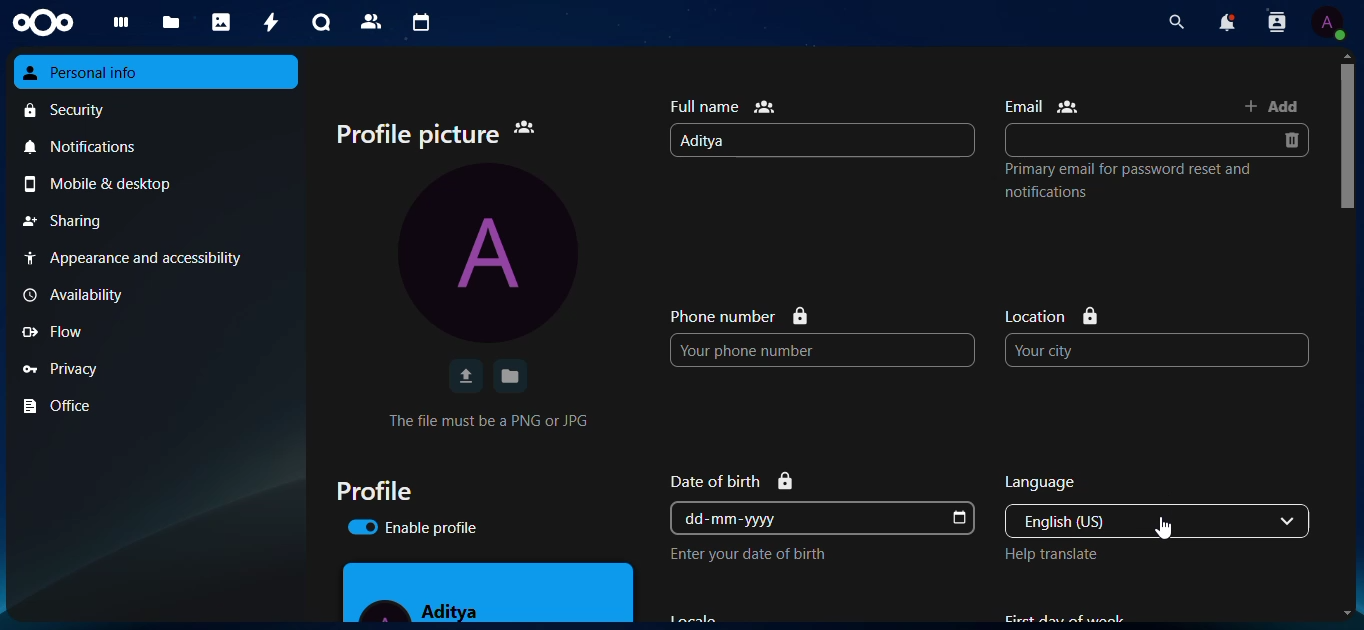  Describe the element at coordinates (1346, 54) in the screenshot. I see `scroll up` at that location.